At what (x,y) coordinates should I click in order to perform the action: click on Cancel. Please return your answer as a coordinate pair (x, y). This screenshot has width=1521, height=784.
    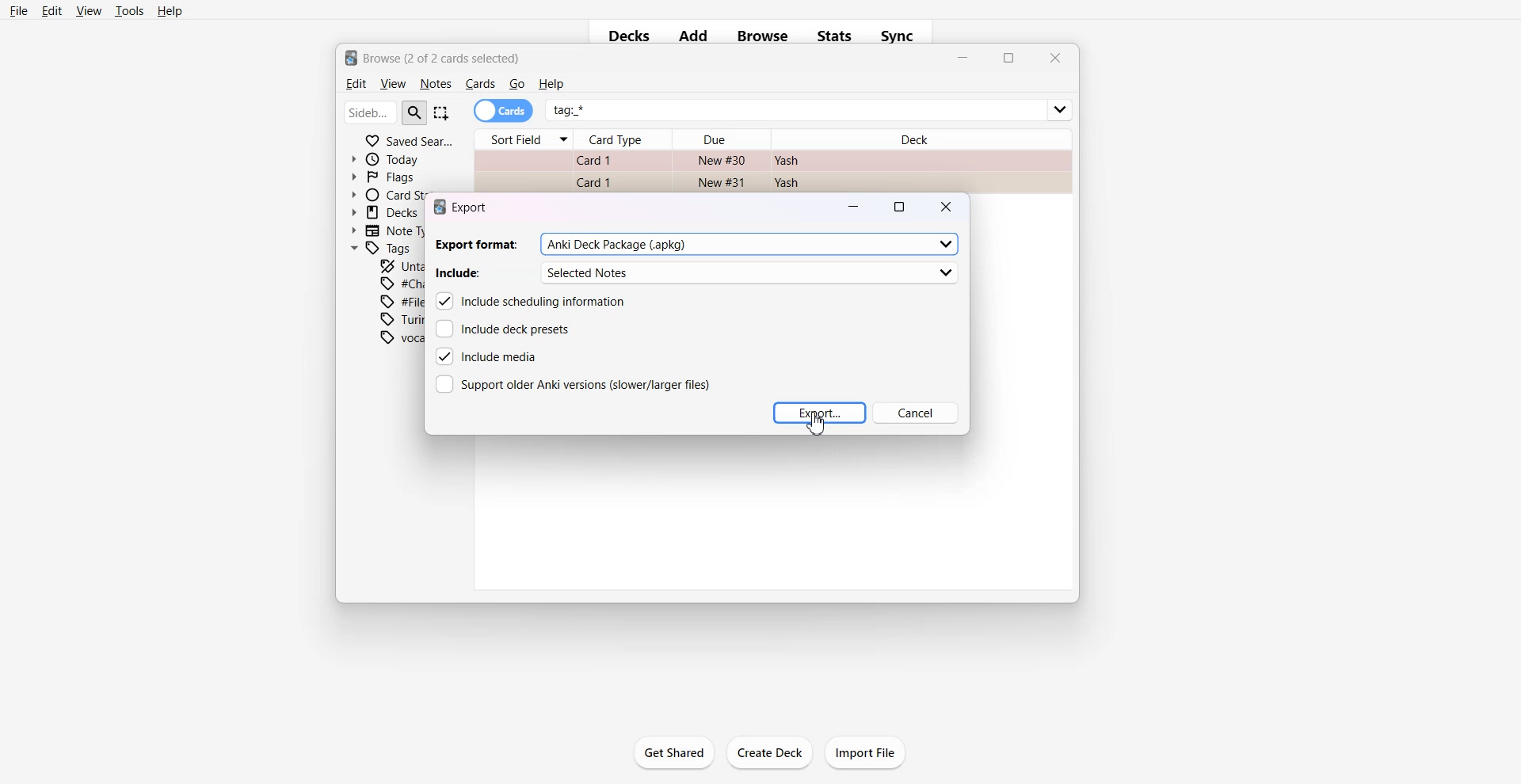
    Looking at the image, I should click on (917, 413).